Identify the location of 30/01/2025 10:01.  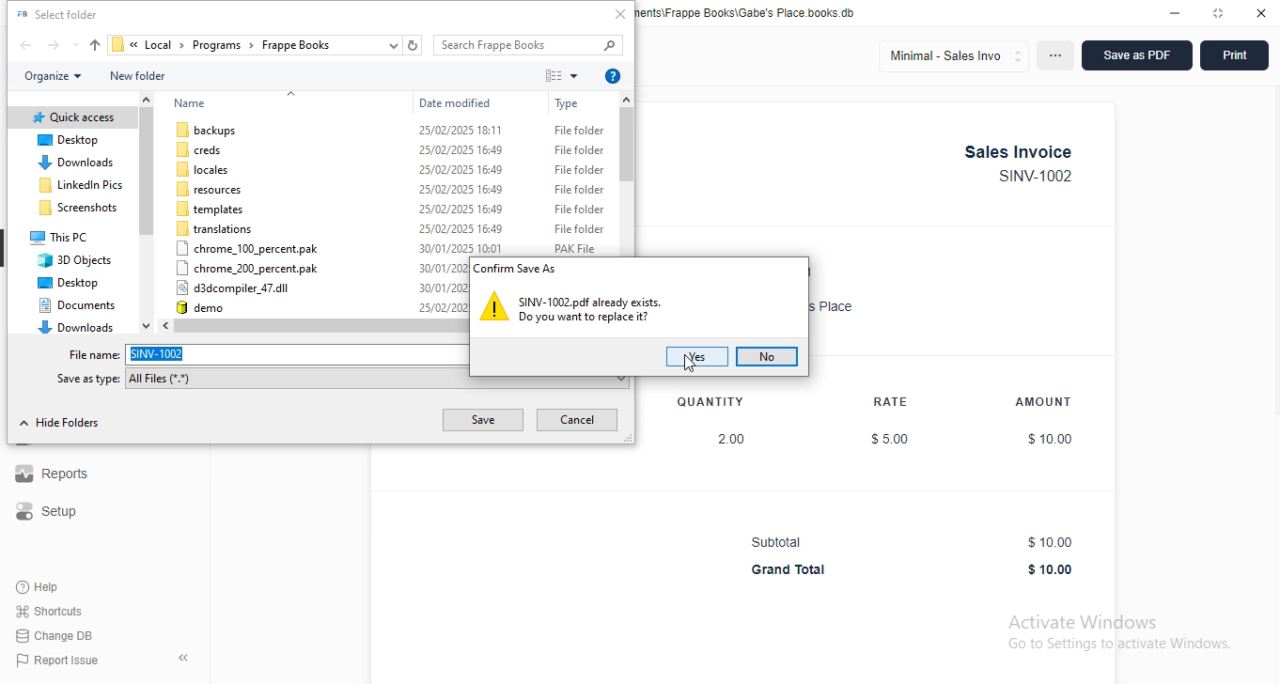
(460, 248).